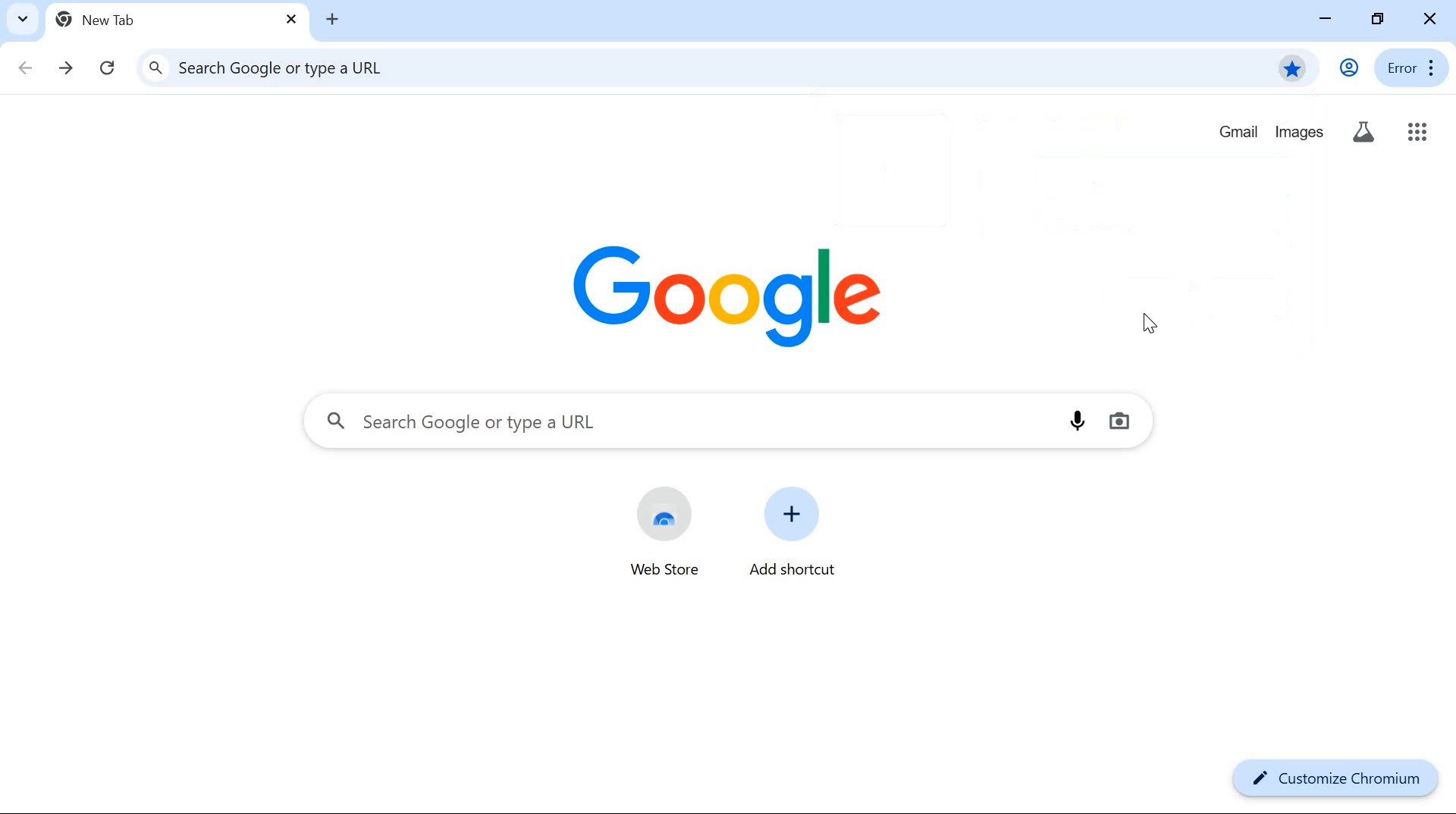  I want to click on bookmark this tab, so click(1292, 67).